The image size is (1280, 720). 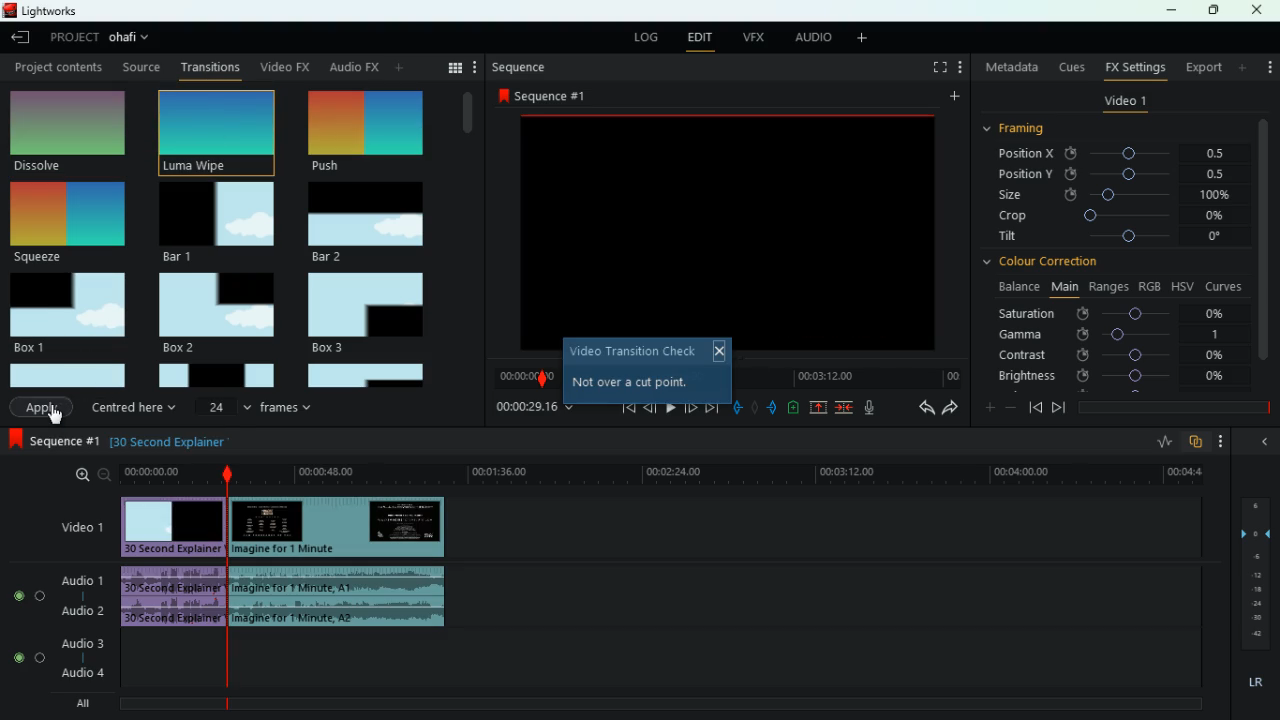 What do you see at coordinates (1035, 407) in the screenshot?
I see `back` at bounding box center [1035, 407].